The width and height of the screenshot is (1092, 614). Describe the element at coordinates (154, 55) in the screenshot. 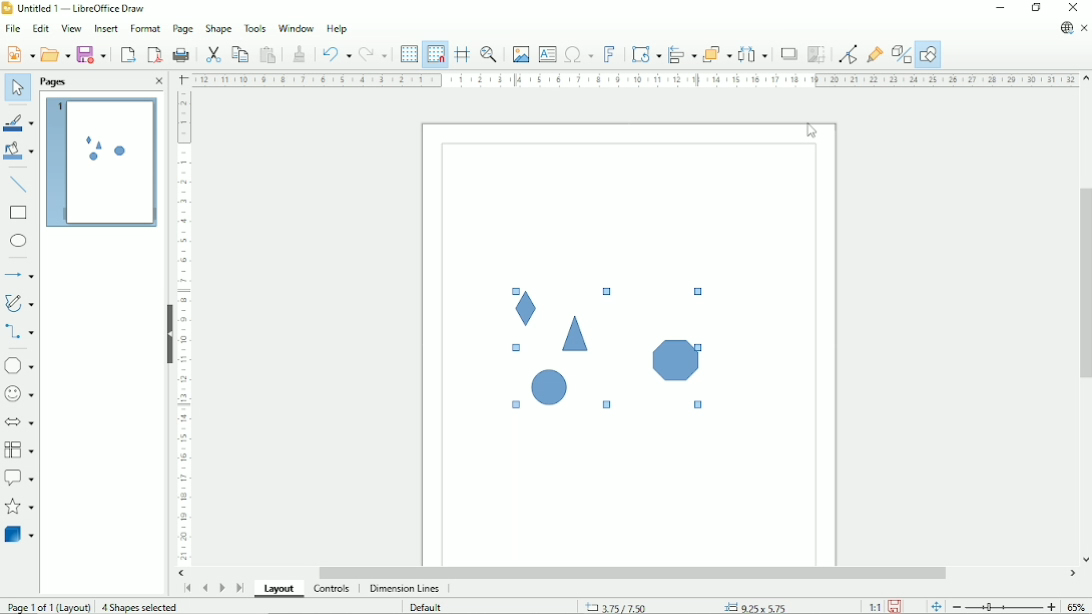

I see `Export directly as PDF` at that location.